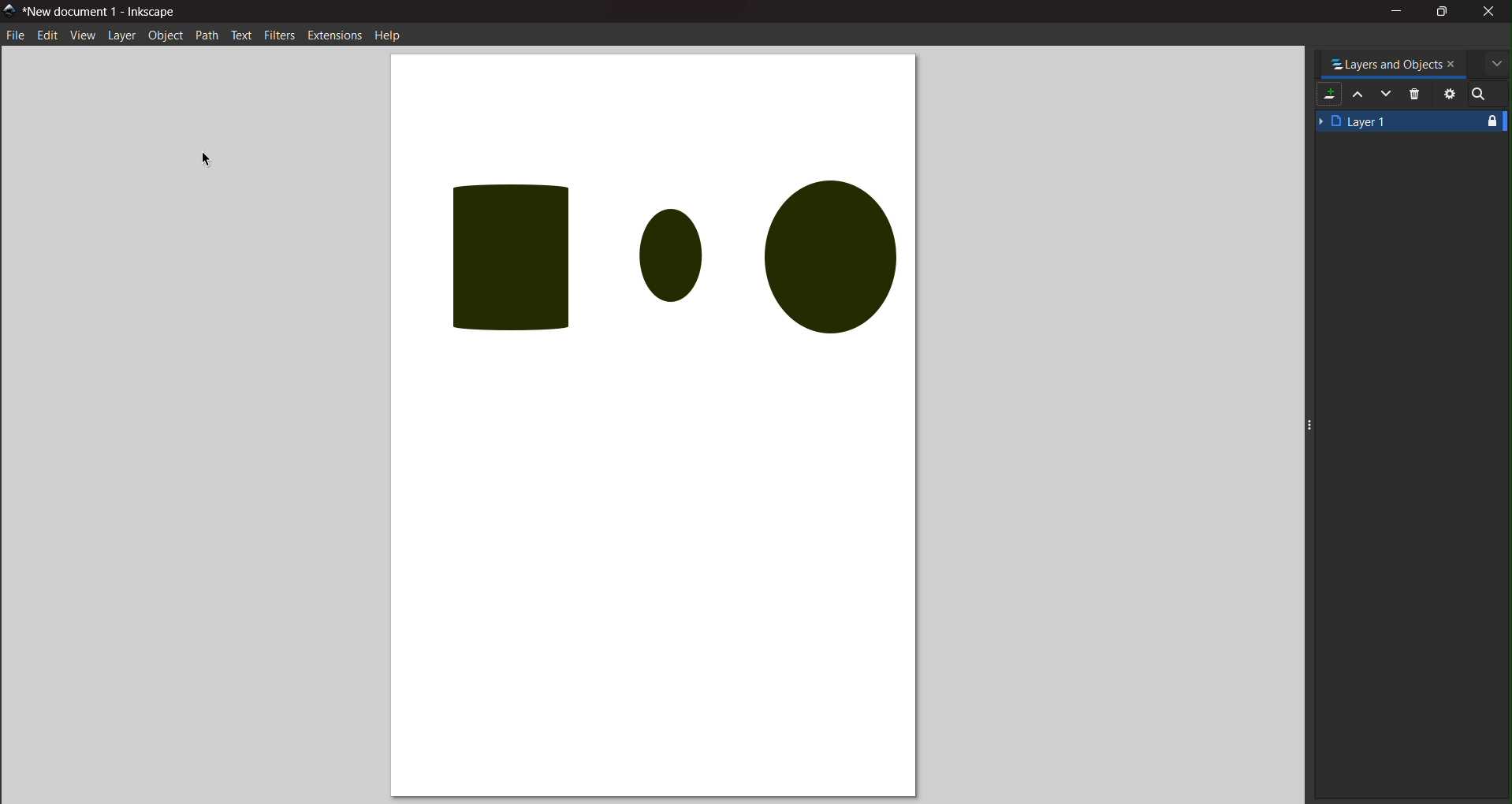 The width and height of the screenshot is (1512, 804). What do you see at coordinates (82, 38) in the screenshot?
I see `view` at bounding box center [82, 38].